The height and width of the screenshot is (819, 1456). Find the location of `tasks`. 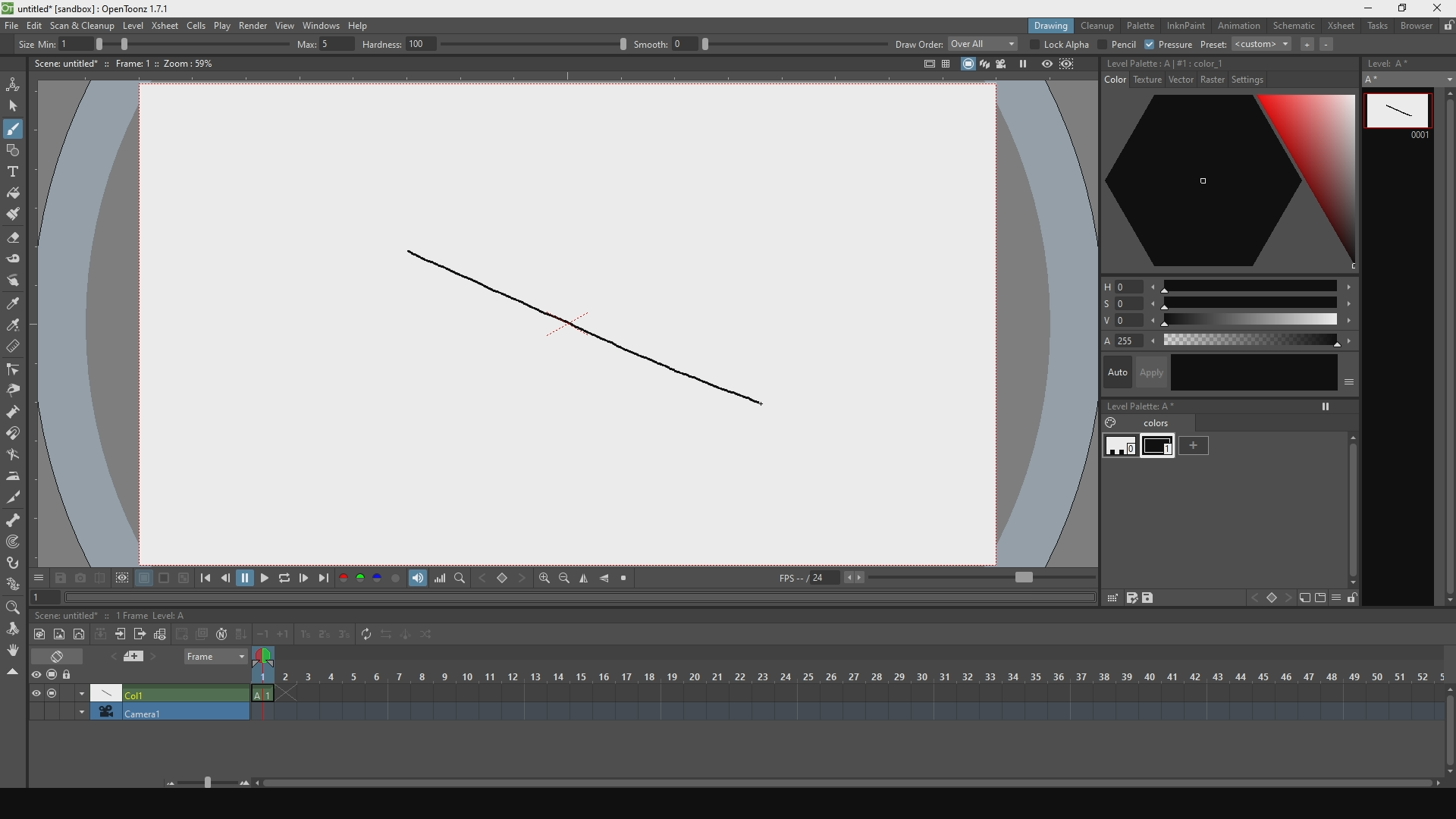

tasks is located at coordinates (1379, 30).